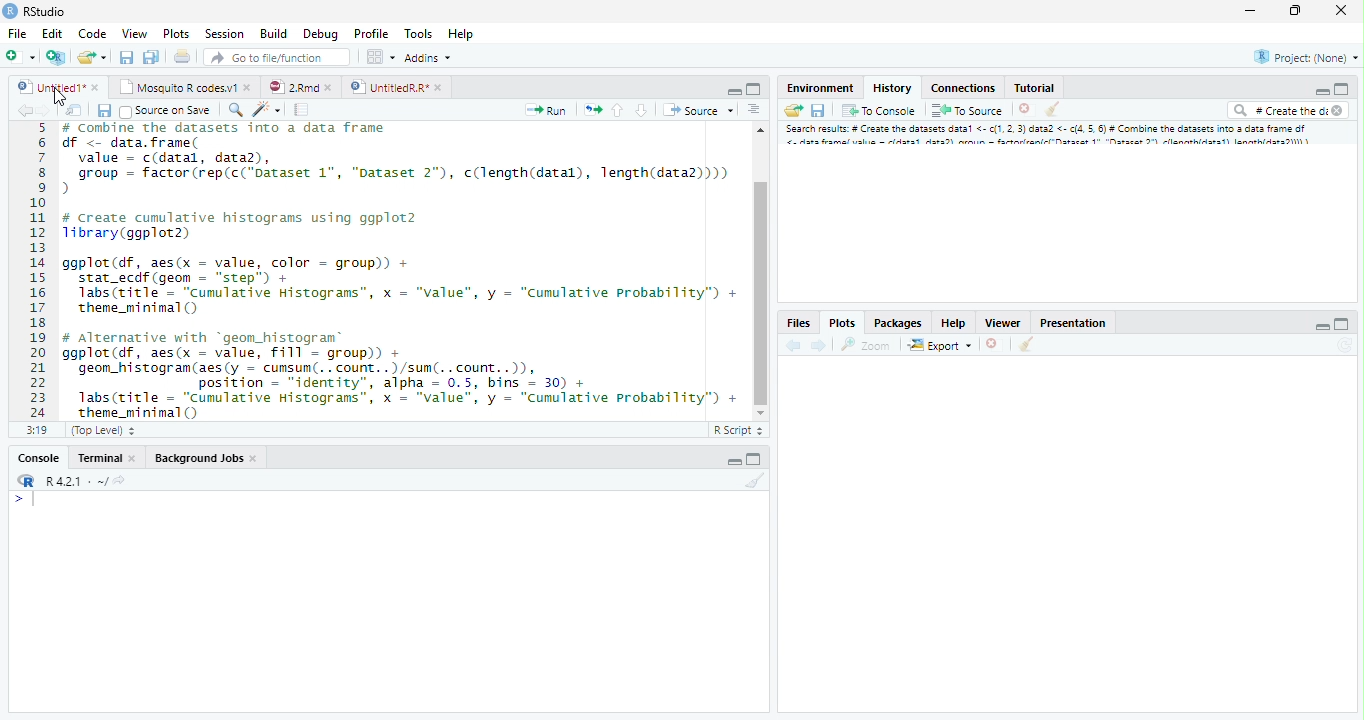 The height and width of the screenshot is (720, 1364). Describe the element at coordinates (94, 57) in the screenshot. I see `Create a new file` at that location.